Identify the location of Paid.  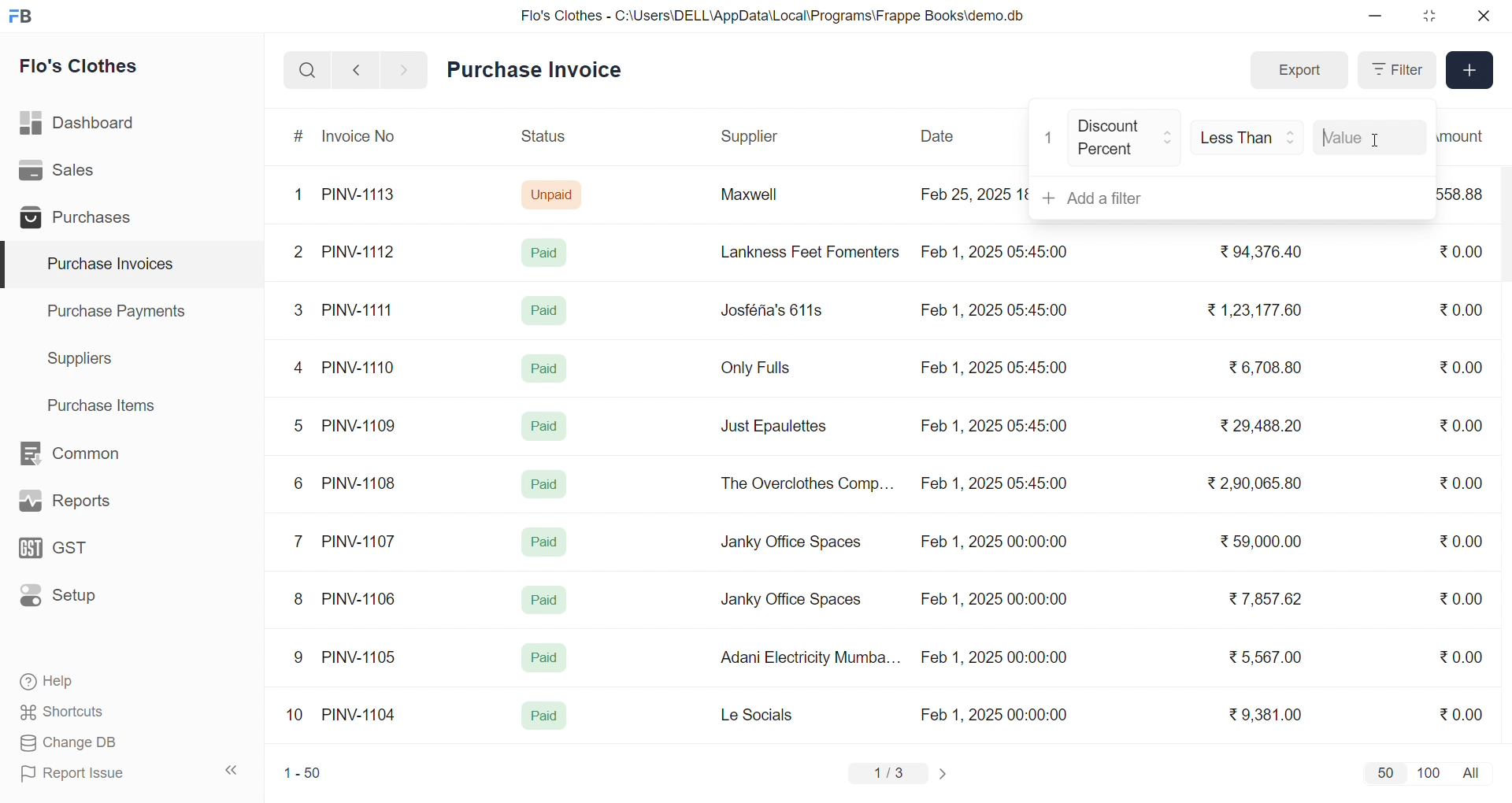
(545, 542).